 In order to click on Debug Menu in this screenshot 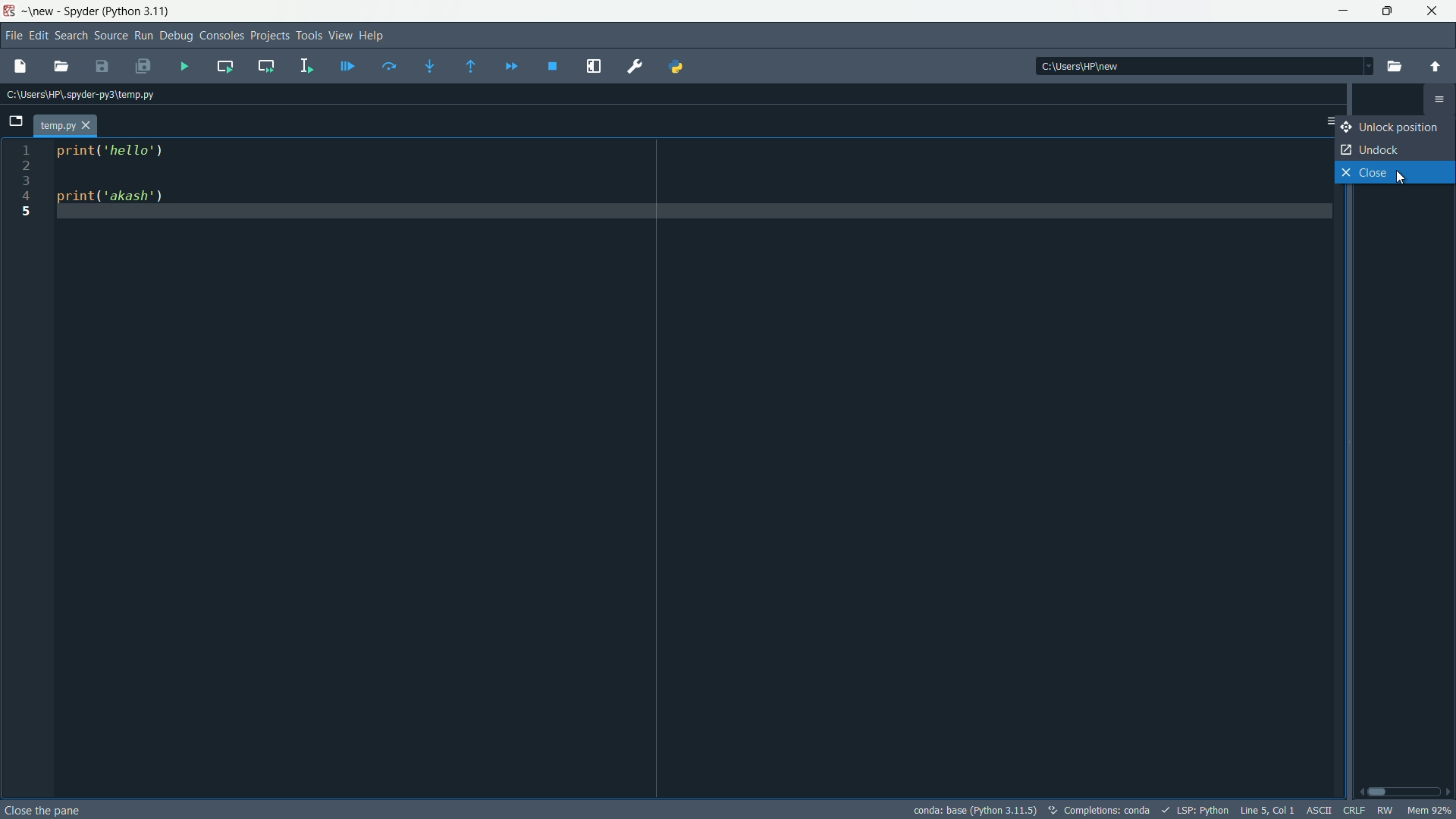, I will do `click(175, 36)`.